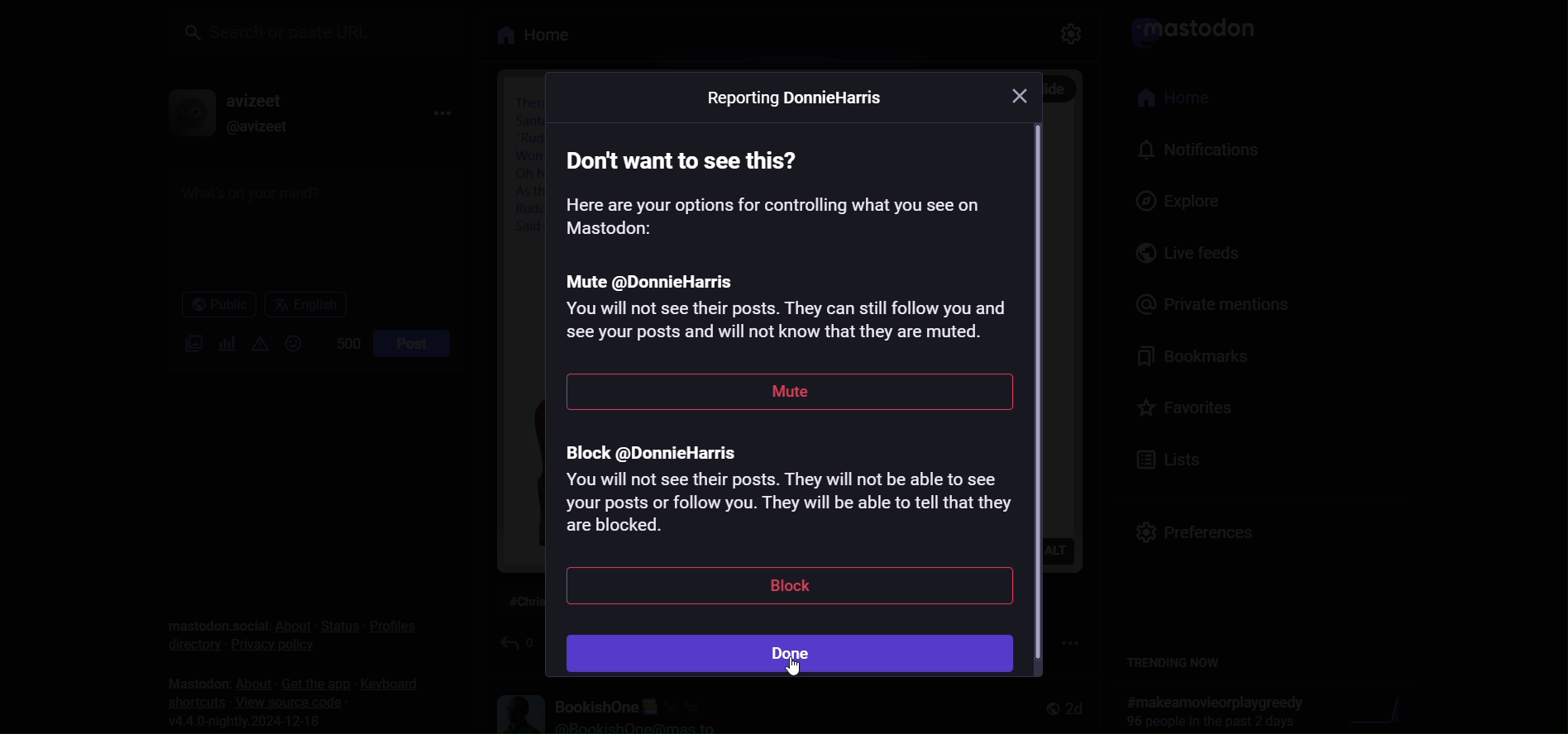  Describe the element at coordinates (309, 683) in the screenshot. I see `get the app` at that location.